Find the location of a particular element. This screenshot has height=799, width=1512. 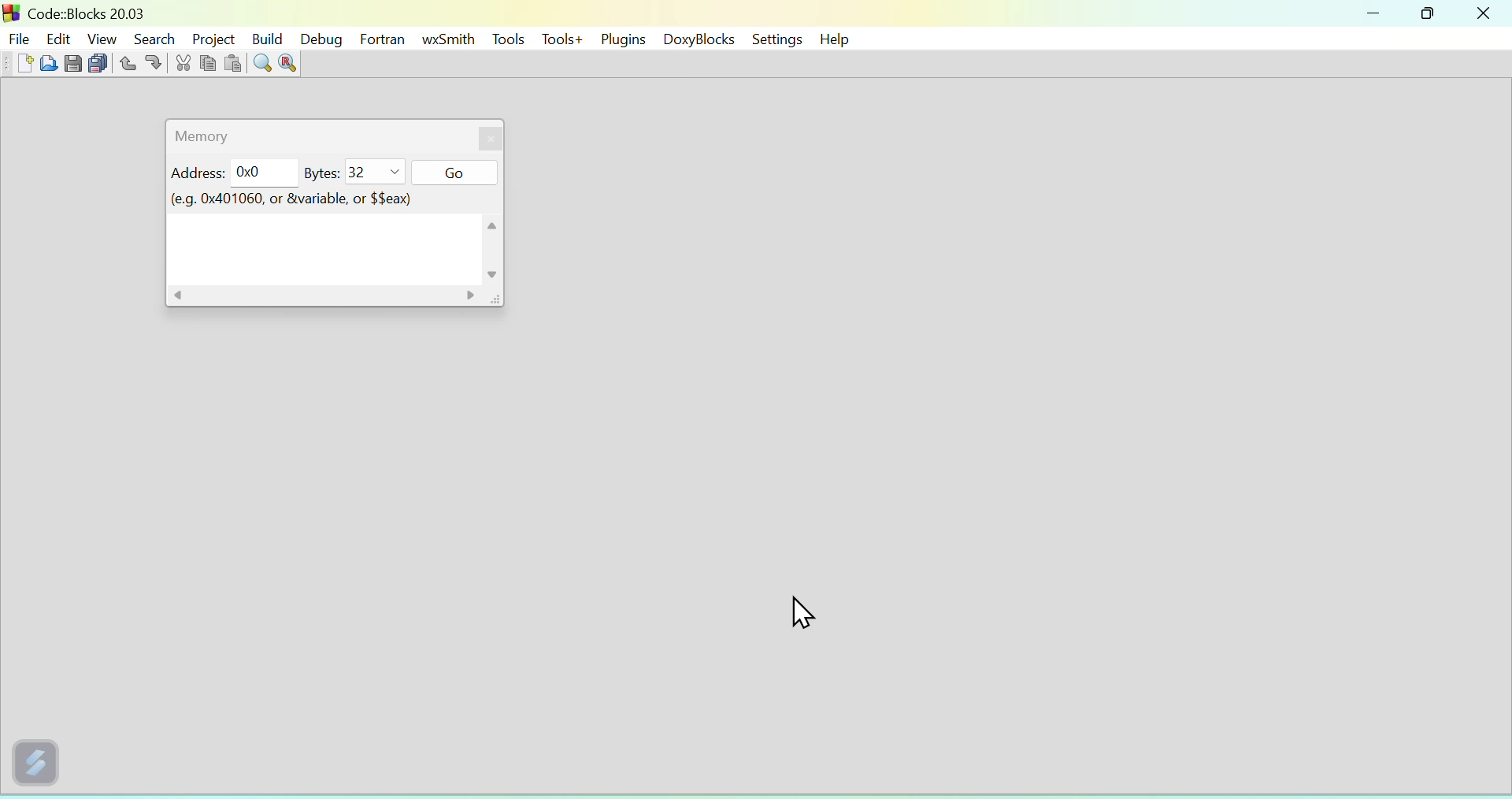

cut  is located at coordinates (183, 65).